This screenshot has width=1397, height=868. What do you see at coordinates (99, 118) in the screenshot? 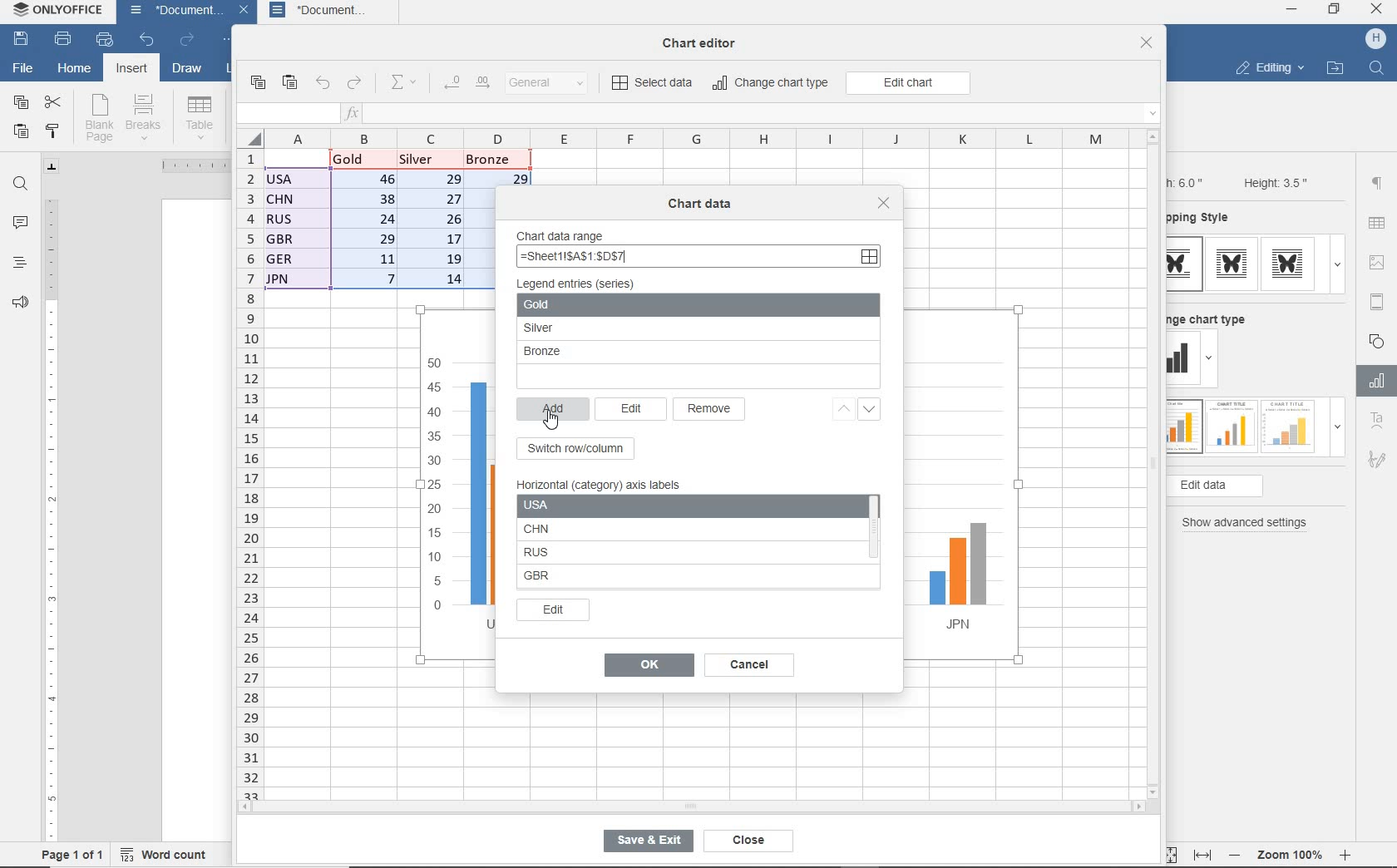
I see `blank page` at bounding box center [99, 118].